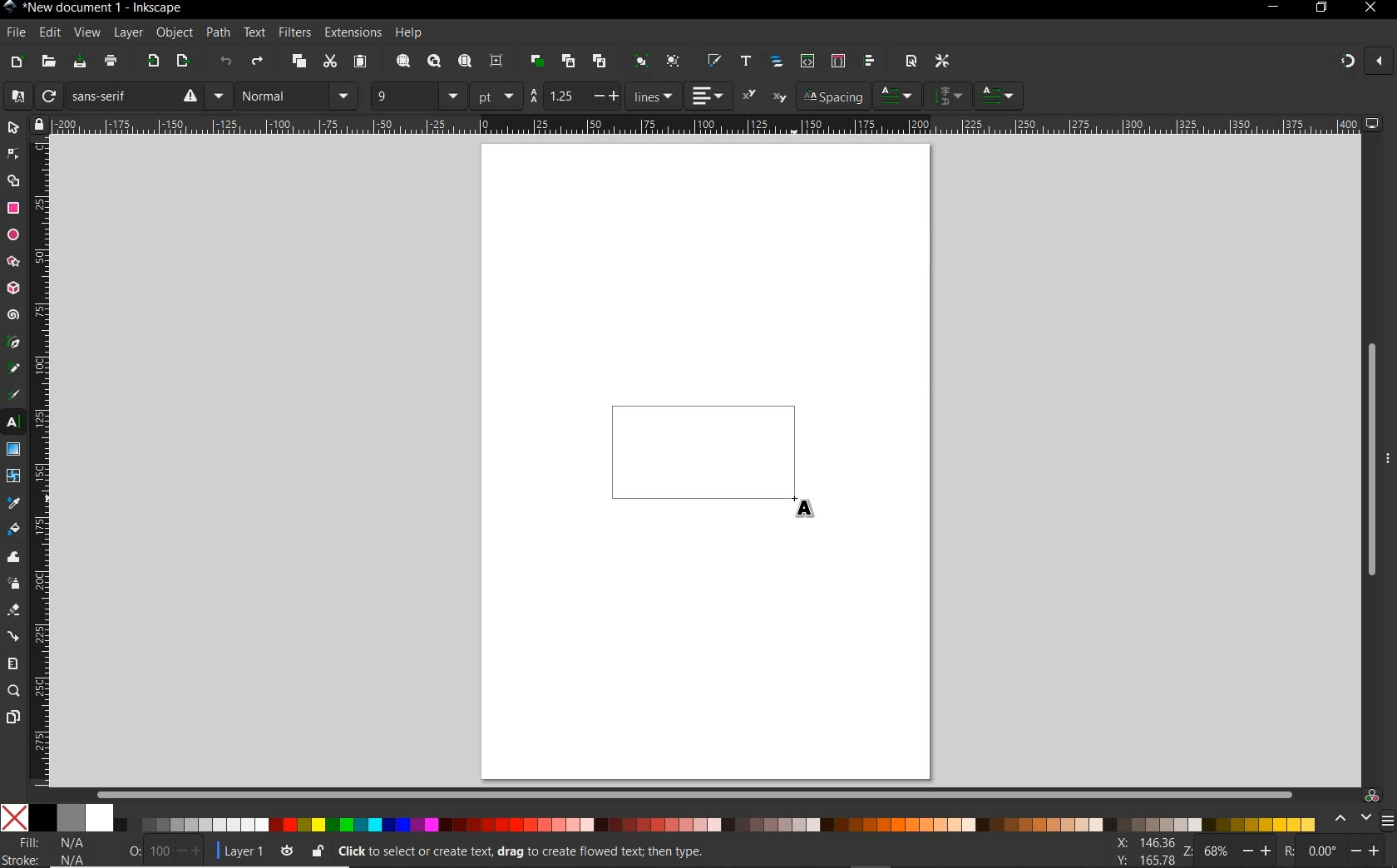 The height and width of the screenshot is (868, 1397). What do you see at coordinates (219, 96) in the screenshot?
I see `Menu` at bounding box center [219, 96].